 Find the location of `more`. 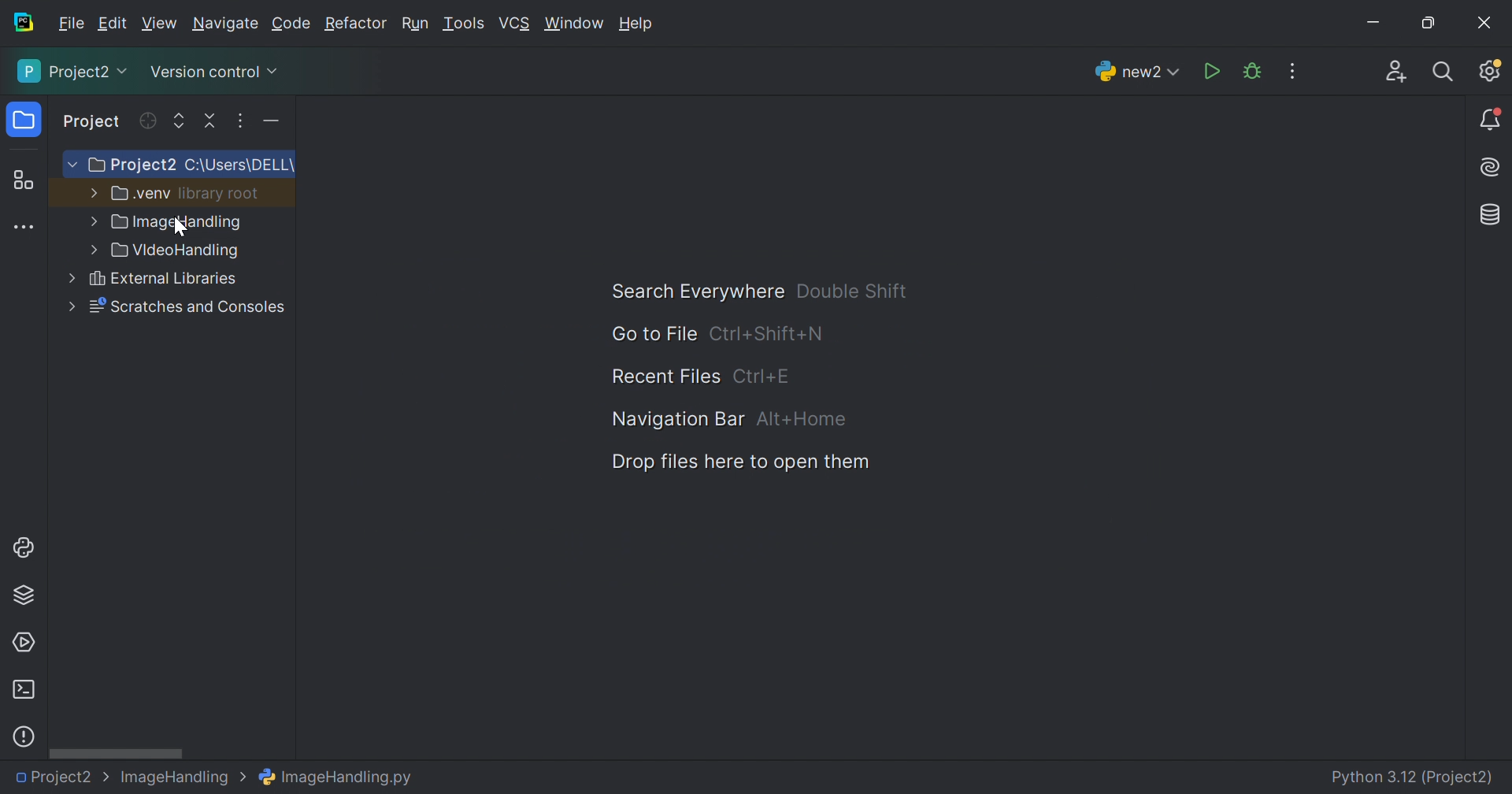

more is located at coordinates (66, 279).